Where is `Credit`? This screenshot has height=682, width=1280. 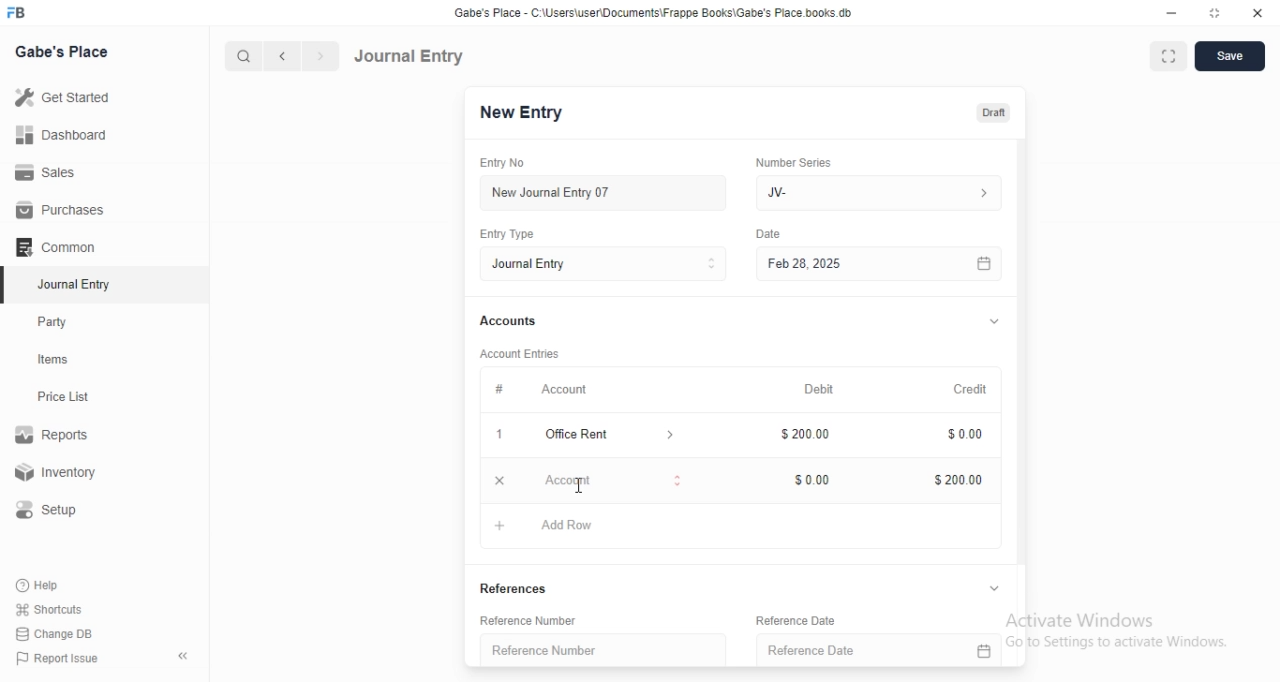
Credit is located at coordinates (969, 387).